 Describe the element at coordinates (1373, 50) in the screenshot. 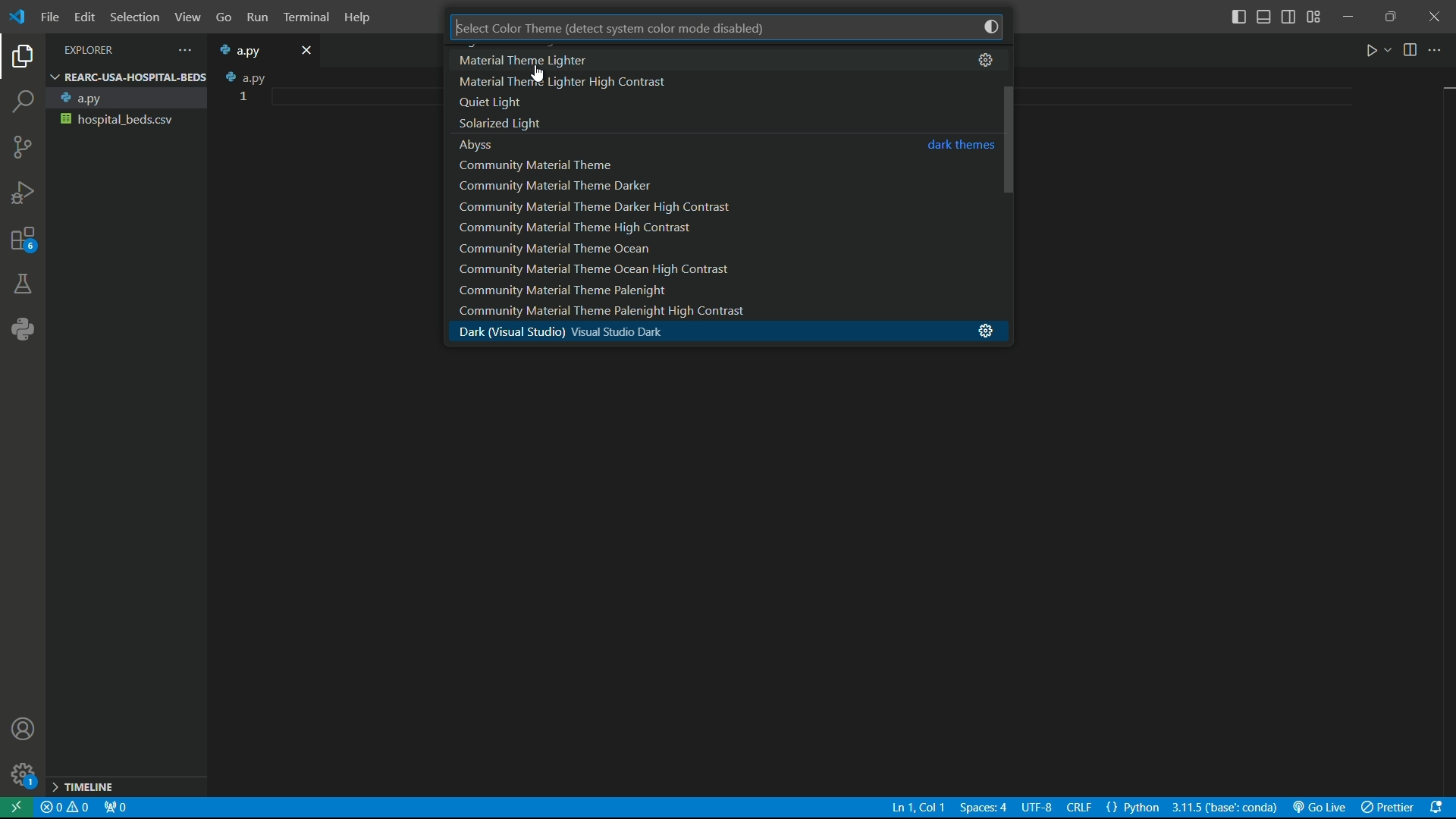

I see `run code` at that location.